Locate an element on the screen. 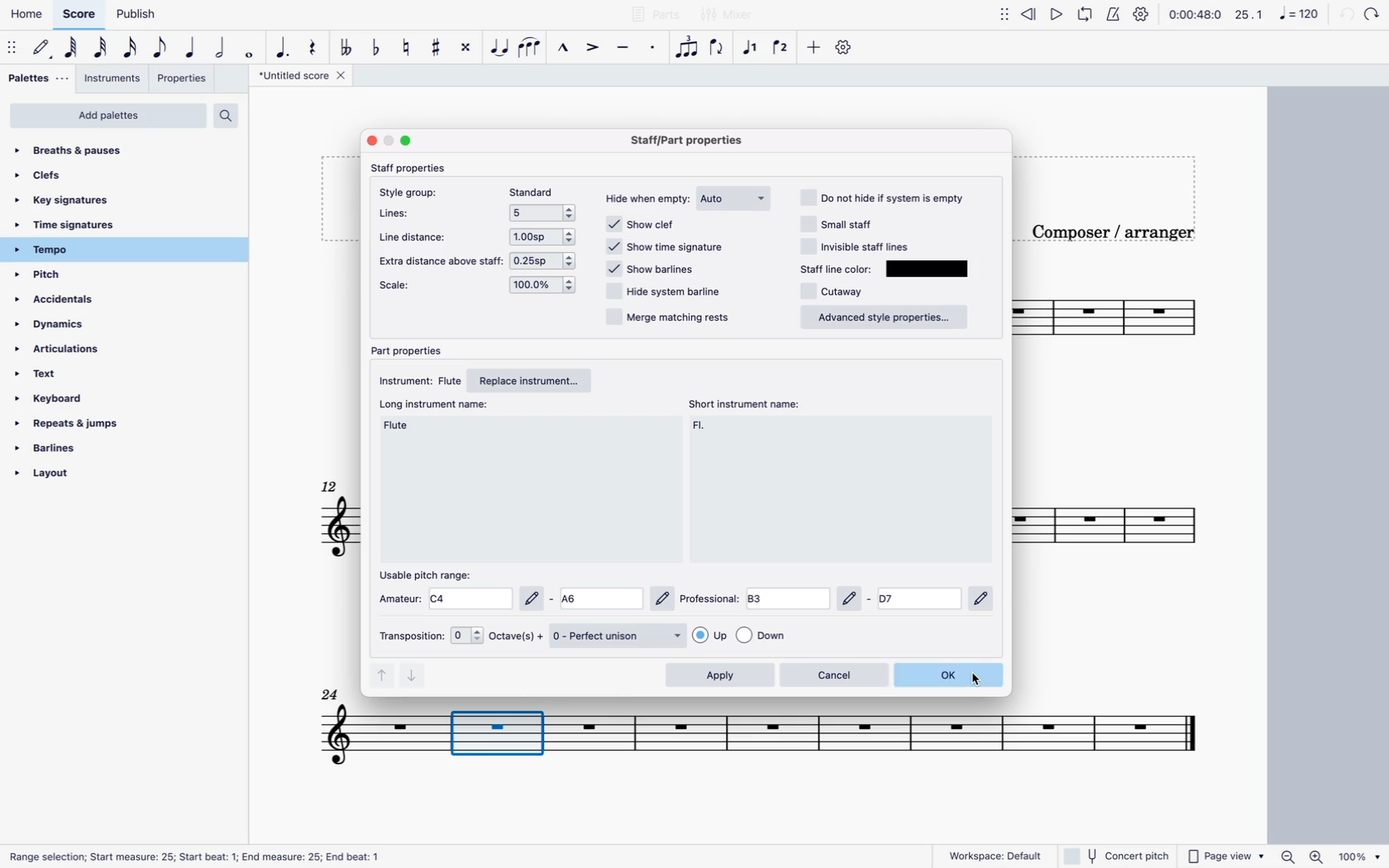 Image resolution: width=1389 pixels, height=868 pixels. add palettes is located at coordinates (108, 117).